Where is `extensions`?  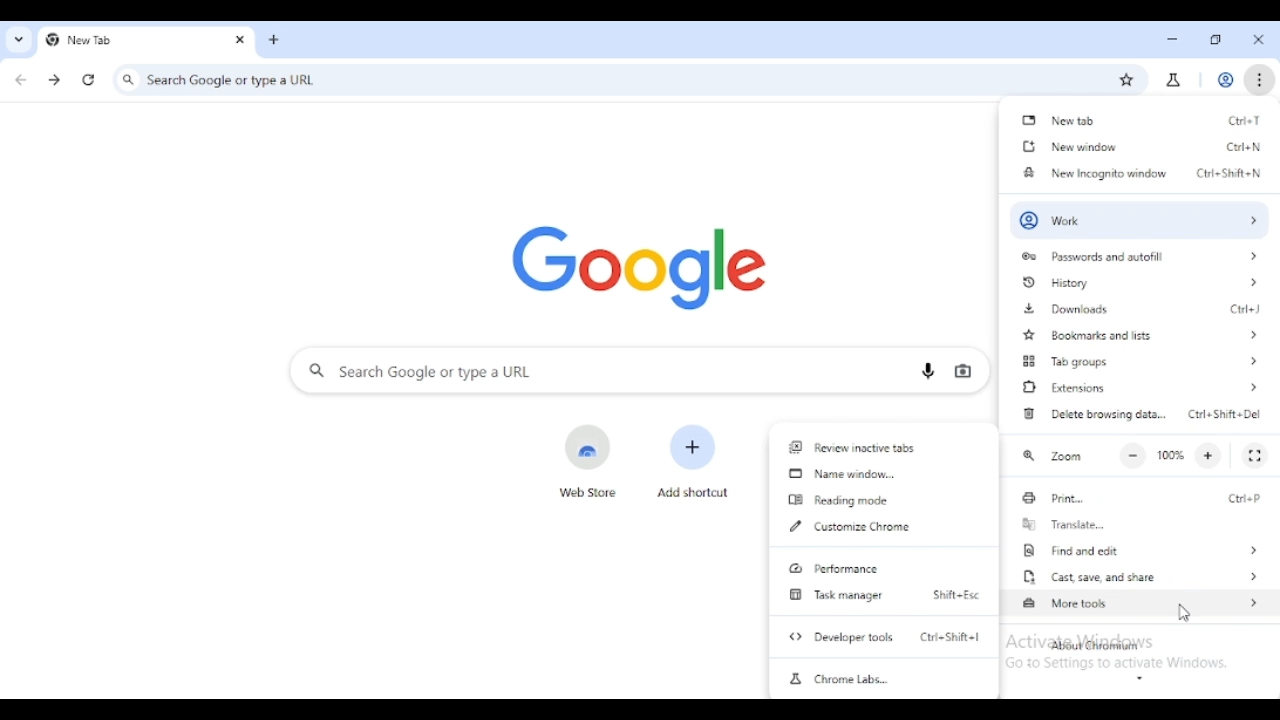 extensions is located at coordinates (1140, 388).